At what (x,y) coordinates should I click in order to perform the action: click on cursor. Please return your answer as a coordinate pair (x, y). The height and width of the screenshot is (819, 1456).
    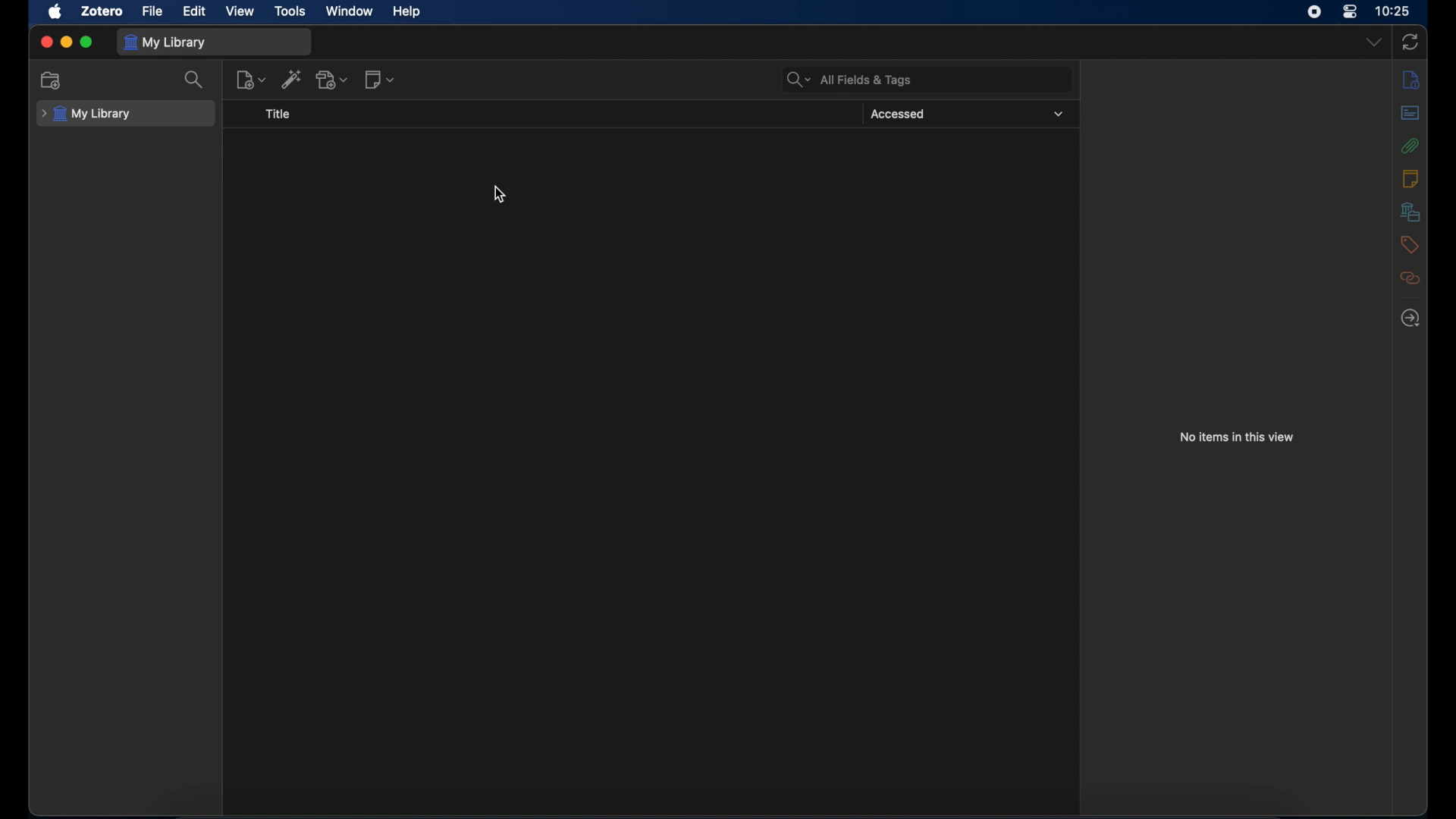
    Looking at the image, I should click on (499, 196).